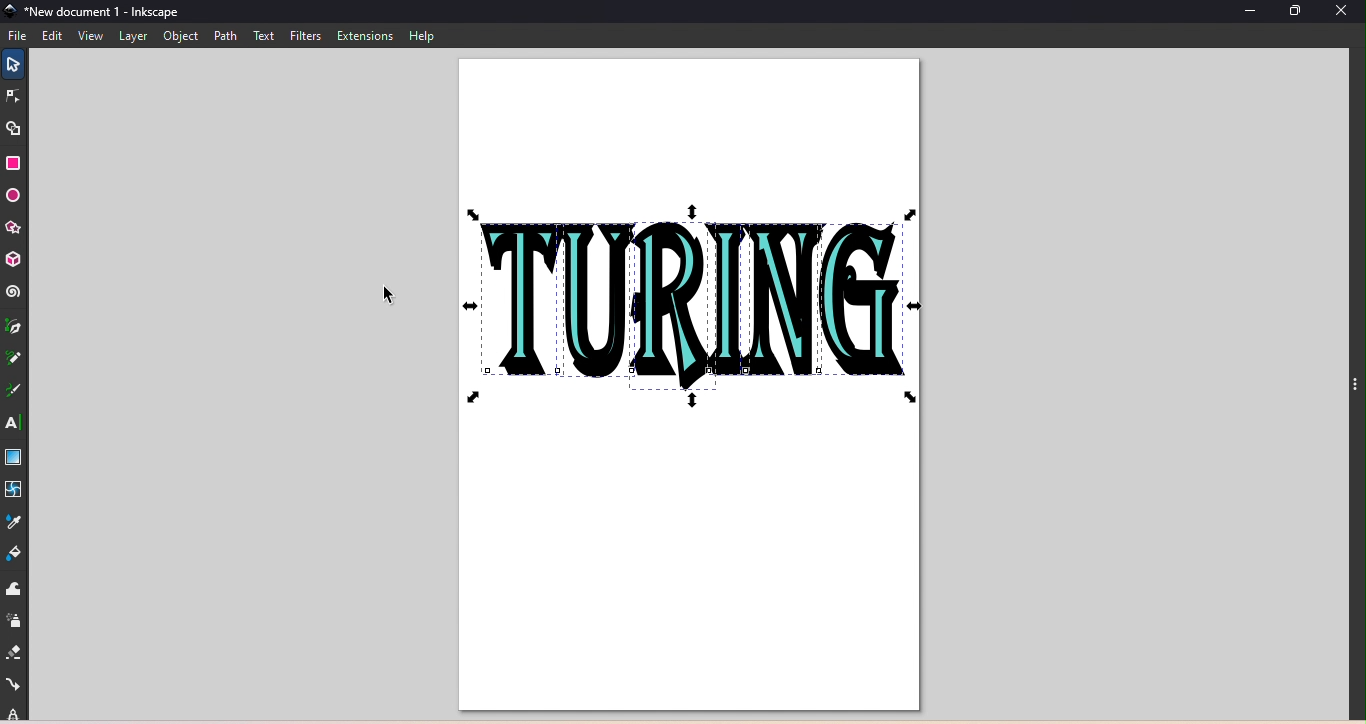 The height and width of the screenshot is (724, 1366). What do you see at coordinates (14, 621) in the screenshot?
I see `Spray tool` at bounding box center [14, 621].